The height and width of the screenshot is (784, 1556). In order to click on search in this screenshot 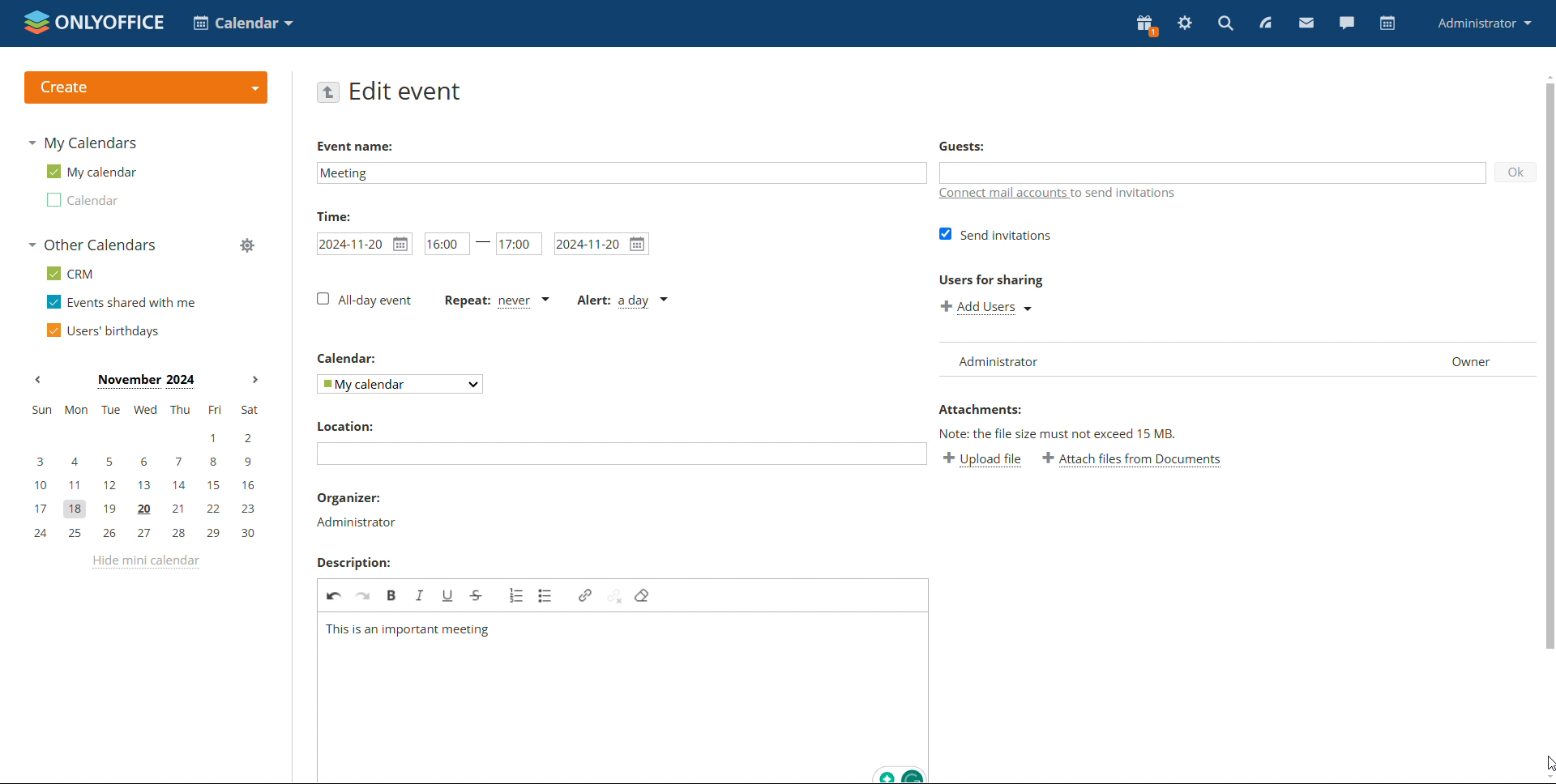, I will do `click(1226, 23)`.